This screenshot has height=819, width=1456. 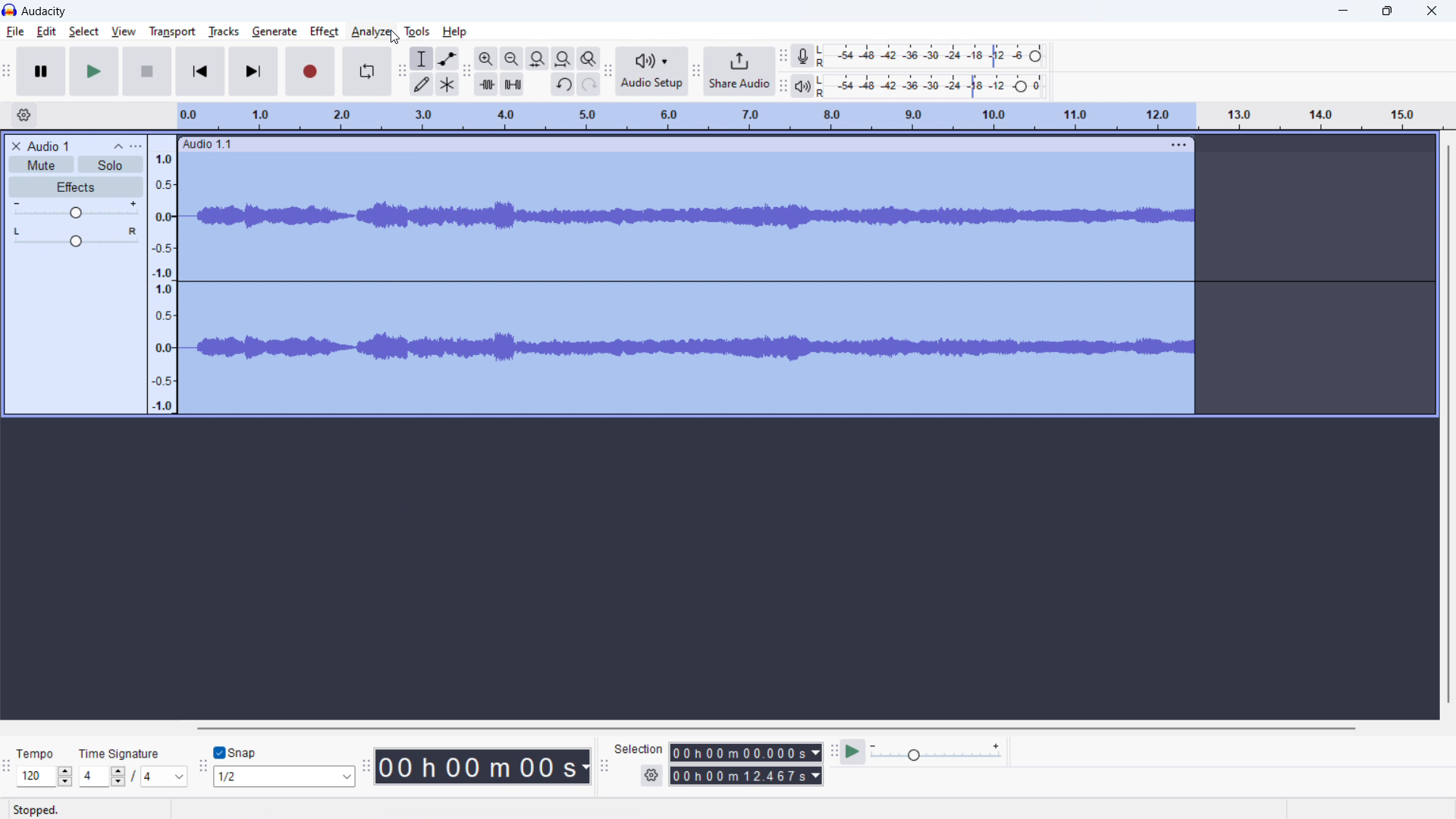 What do you see at coordinates (8, 72) in the screenshot?
I see `transport toolbar` at bounding box center [8, 72].